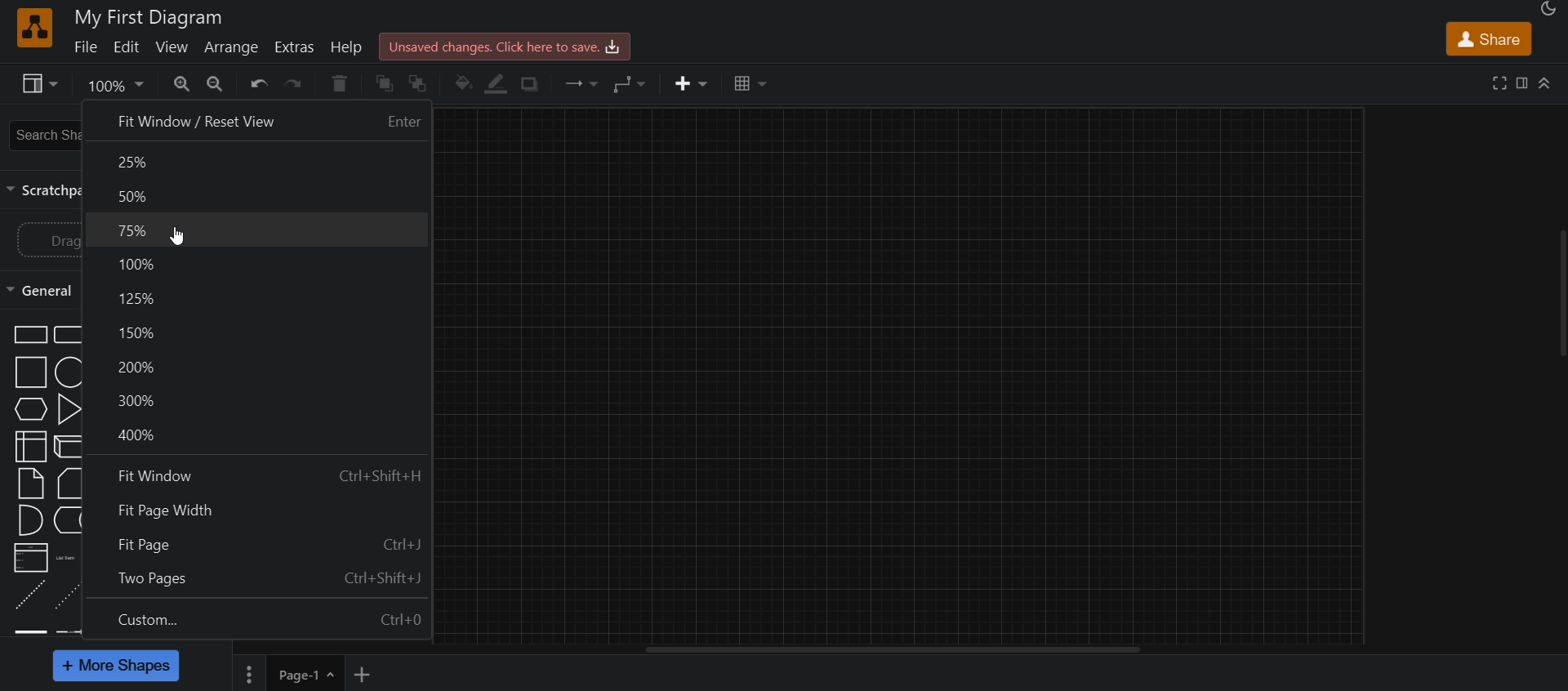 This screenshot has width=1568, height=691. Describe the element at coordinates (262, 513) in the screenshot. I see `fit page width` at that location.